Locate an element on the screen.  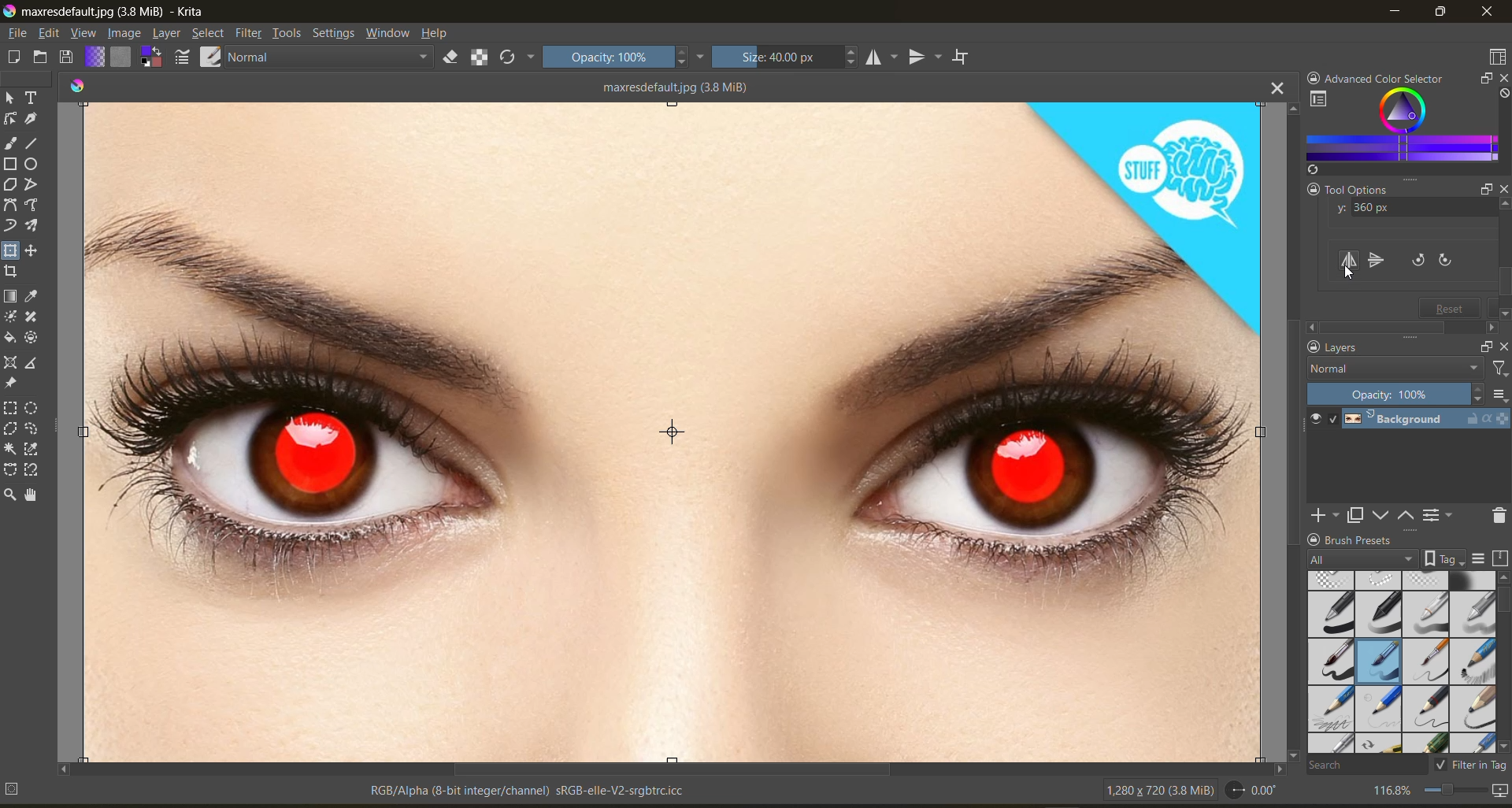
vertical scroll bar is located at coordinates (1289, 430).